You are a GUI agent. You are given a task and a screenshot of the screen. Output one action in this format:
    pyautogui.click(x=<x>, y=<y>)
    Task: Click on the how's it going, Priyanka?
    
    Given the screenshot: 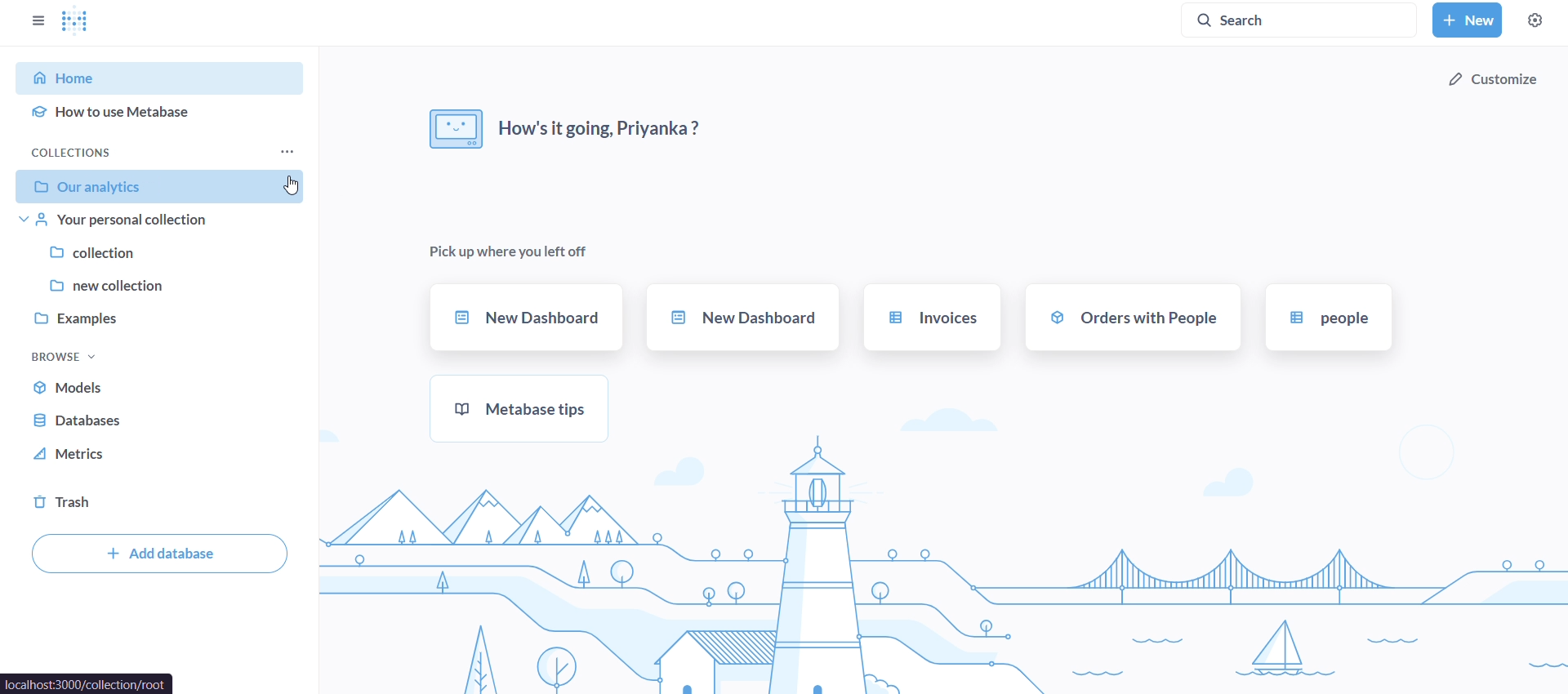 What is the action you would take?
    pyautogui.click(x=567, y=126)
    